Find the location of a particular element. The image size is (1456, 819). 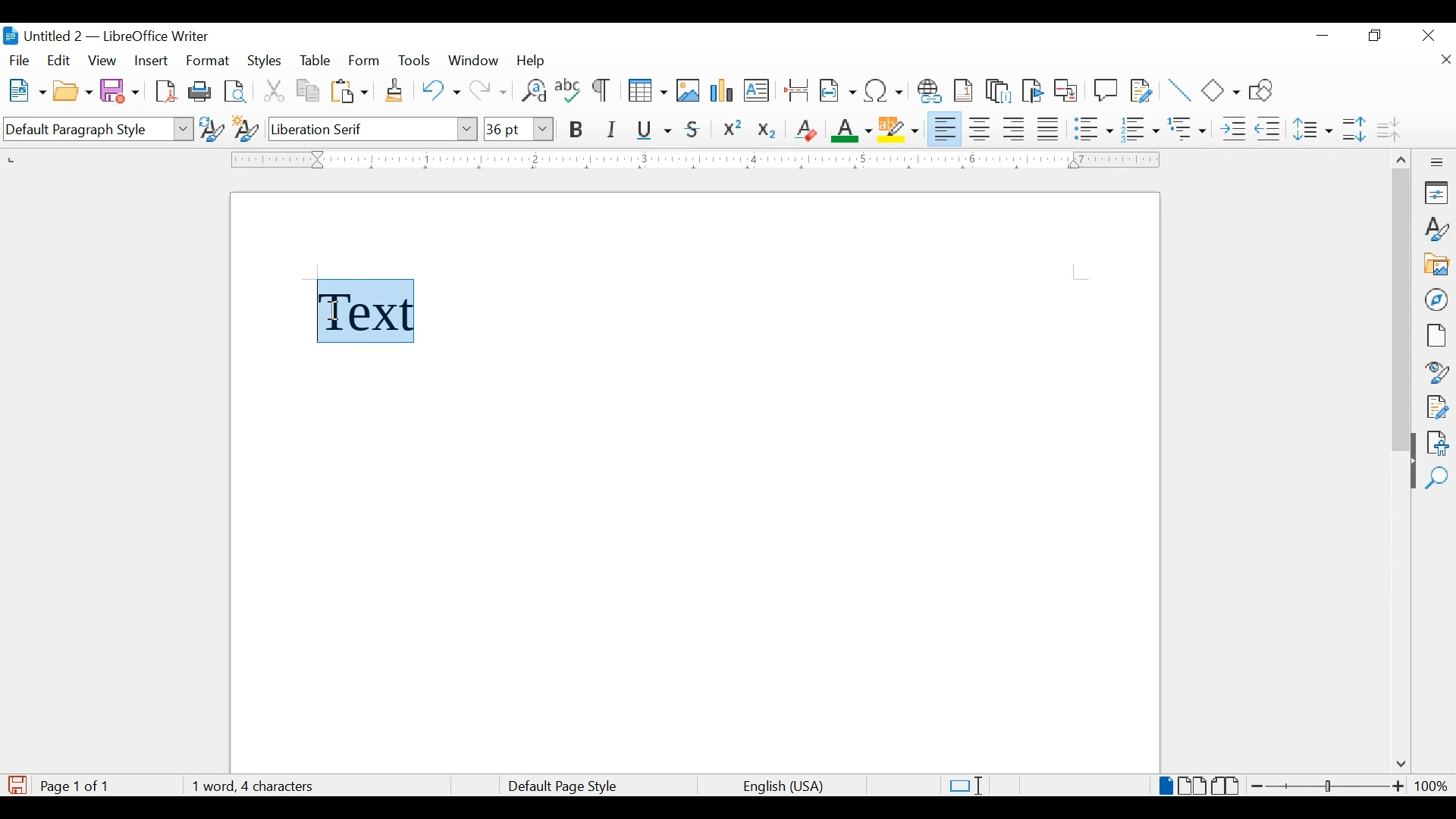

update selected style is located at coordinates (212, 128).